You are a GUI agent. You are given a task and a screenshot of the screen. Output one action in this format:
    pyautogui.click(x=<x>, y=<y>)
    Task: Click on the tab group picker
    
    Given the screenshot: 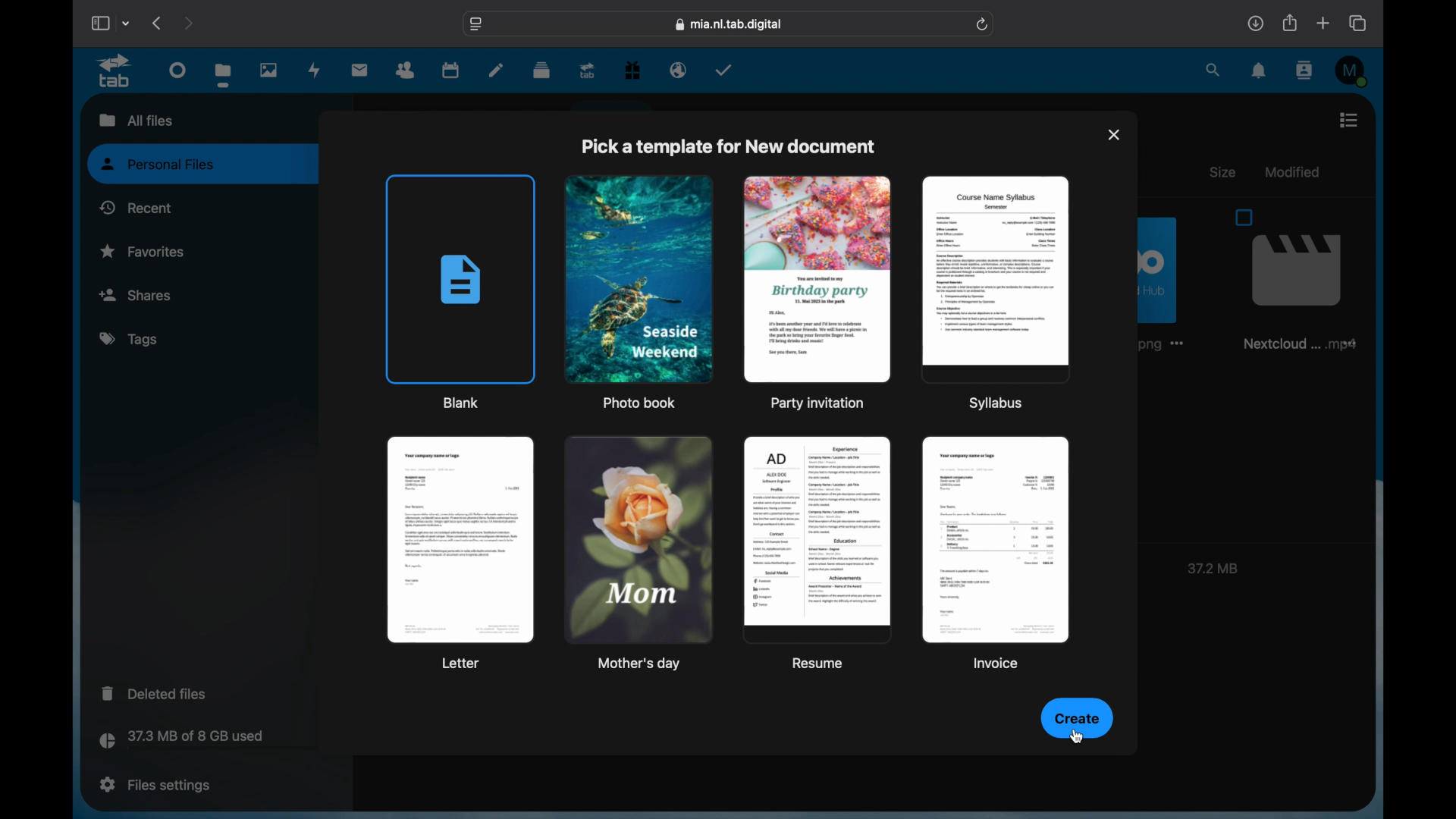 What is the action you would take?
    pyautogui.click(x=127, y=23)
    